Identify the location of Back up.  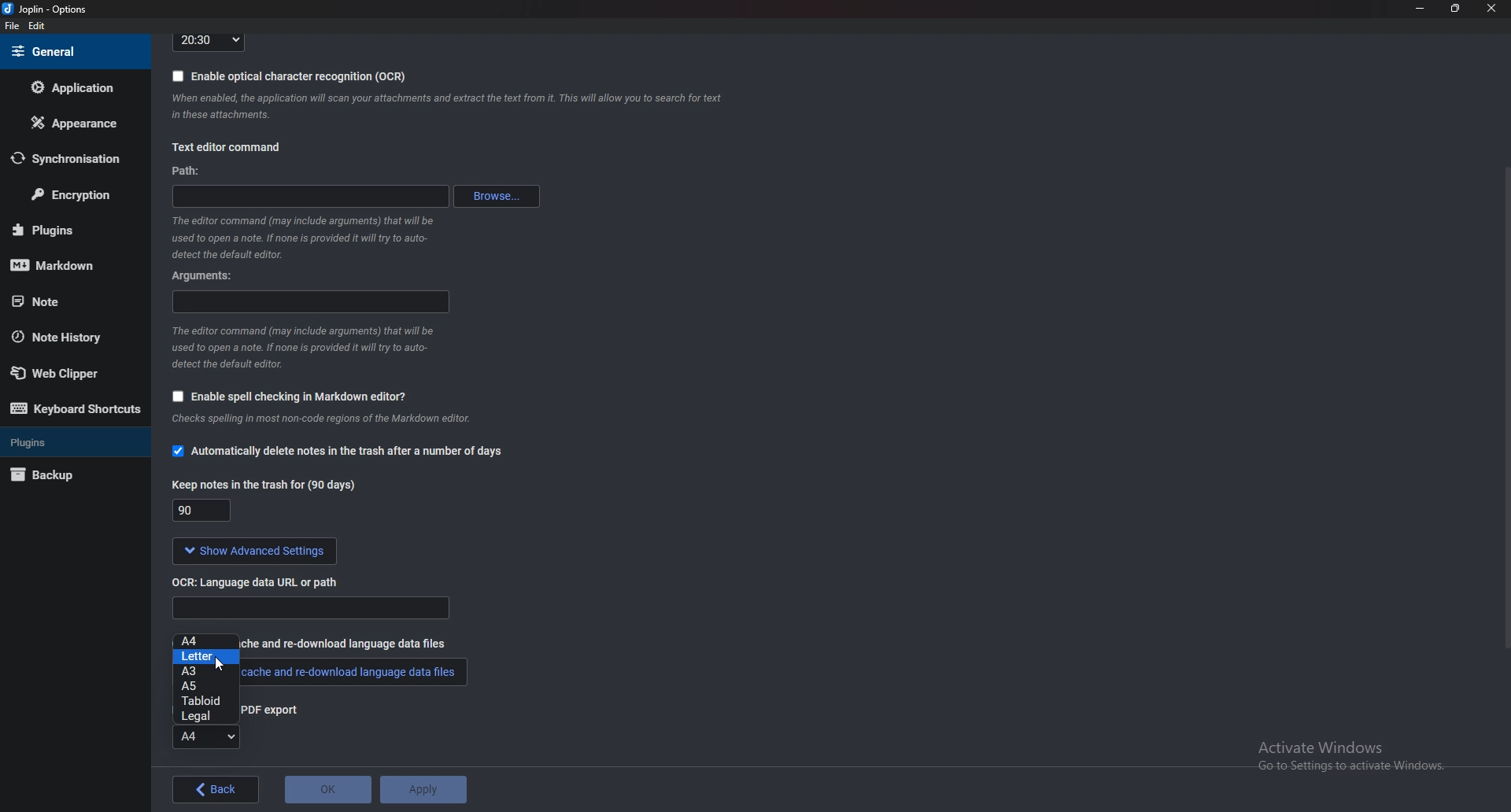
(66, 477).